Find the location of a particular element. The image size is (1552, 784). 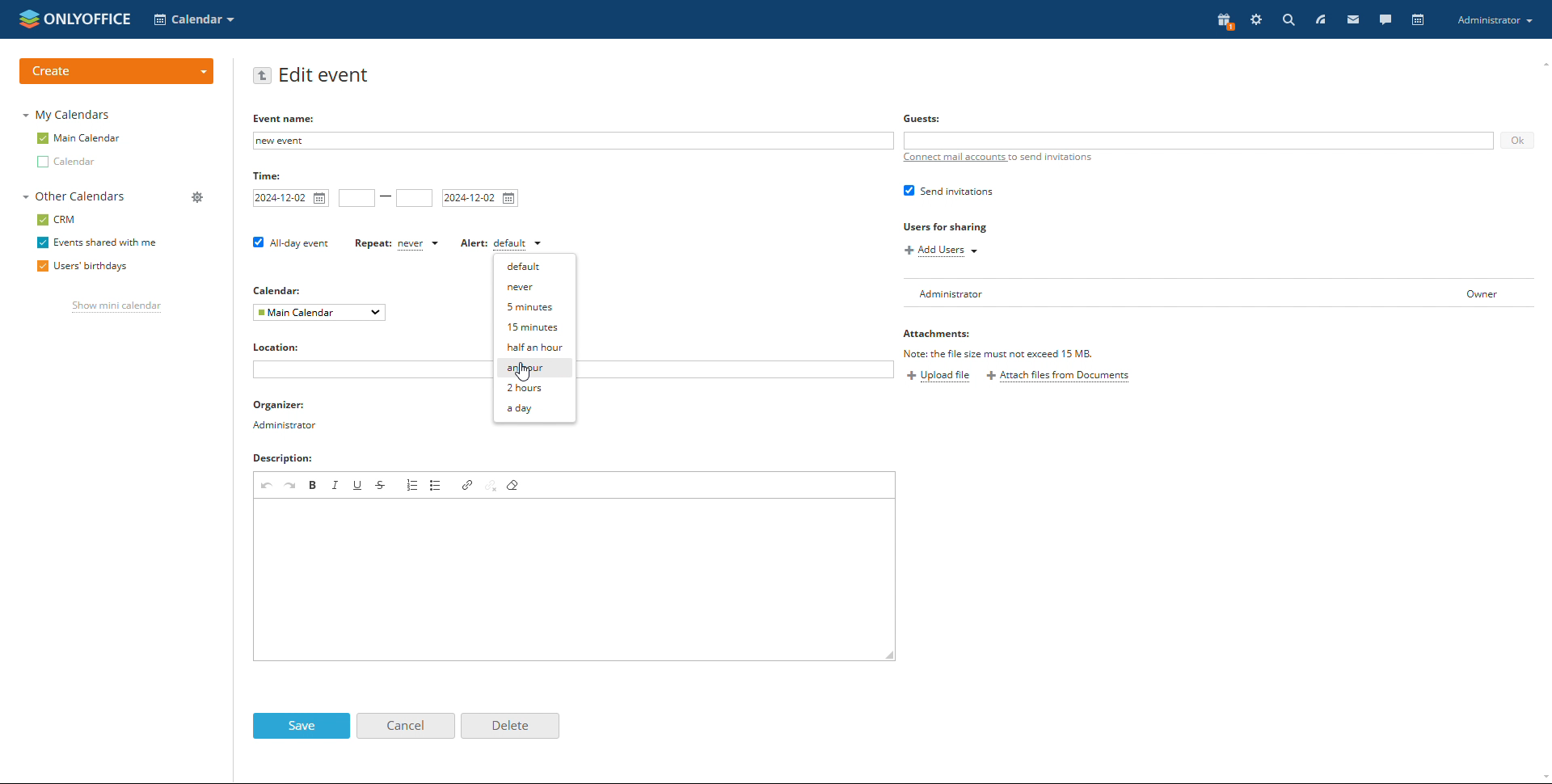

add guests is located at coordinates (1198, 140).